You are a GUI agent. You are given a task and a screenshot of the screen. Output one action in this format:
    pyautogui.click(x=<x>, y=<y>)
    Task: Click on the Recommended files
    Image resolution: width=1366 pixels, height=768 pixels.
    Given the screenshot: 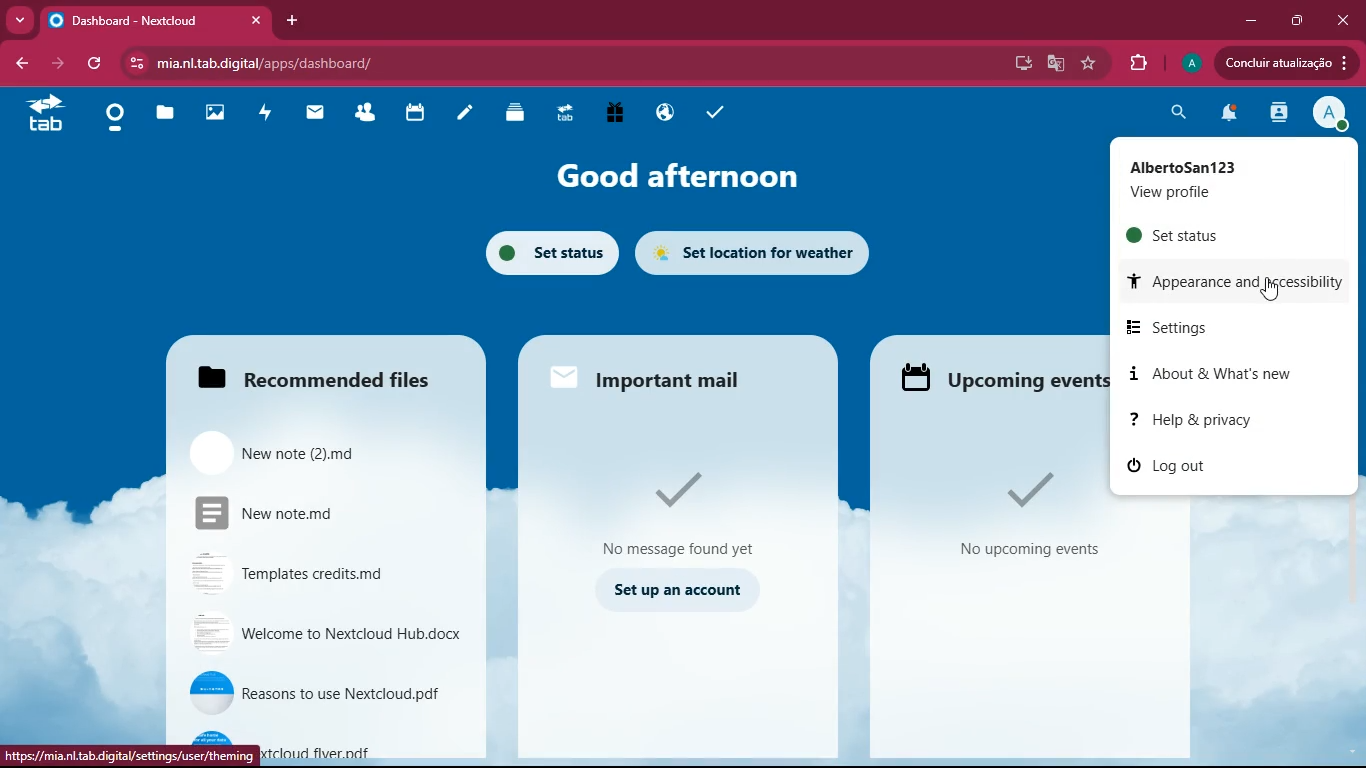 What is the action you would take?
    pyautogui.click(x=312, y=376)
    